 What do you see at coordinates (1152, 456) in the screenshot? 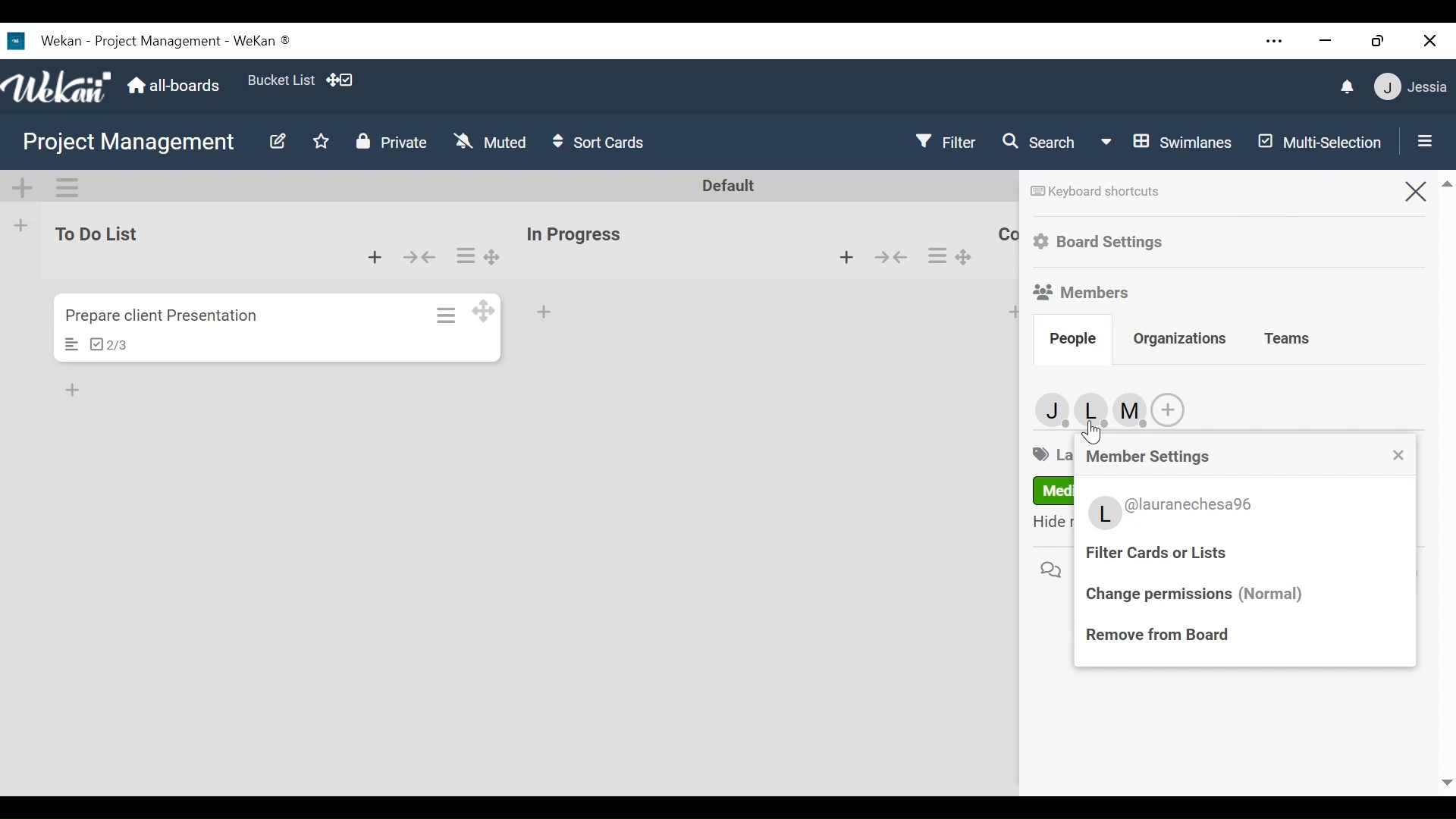
I see `Member settings` at bounding box center [1152, 456].